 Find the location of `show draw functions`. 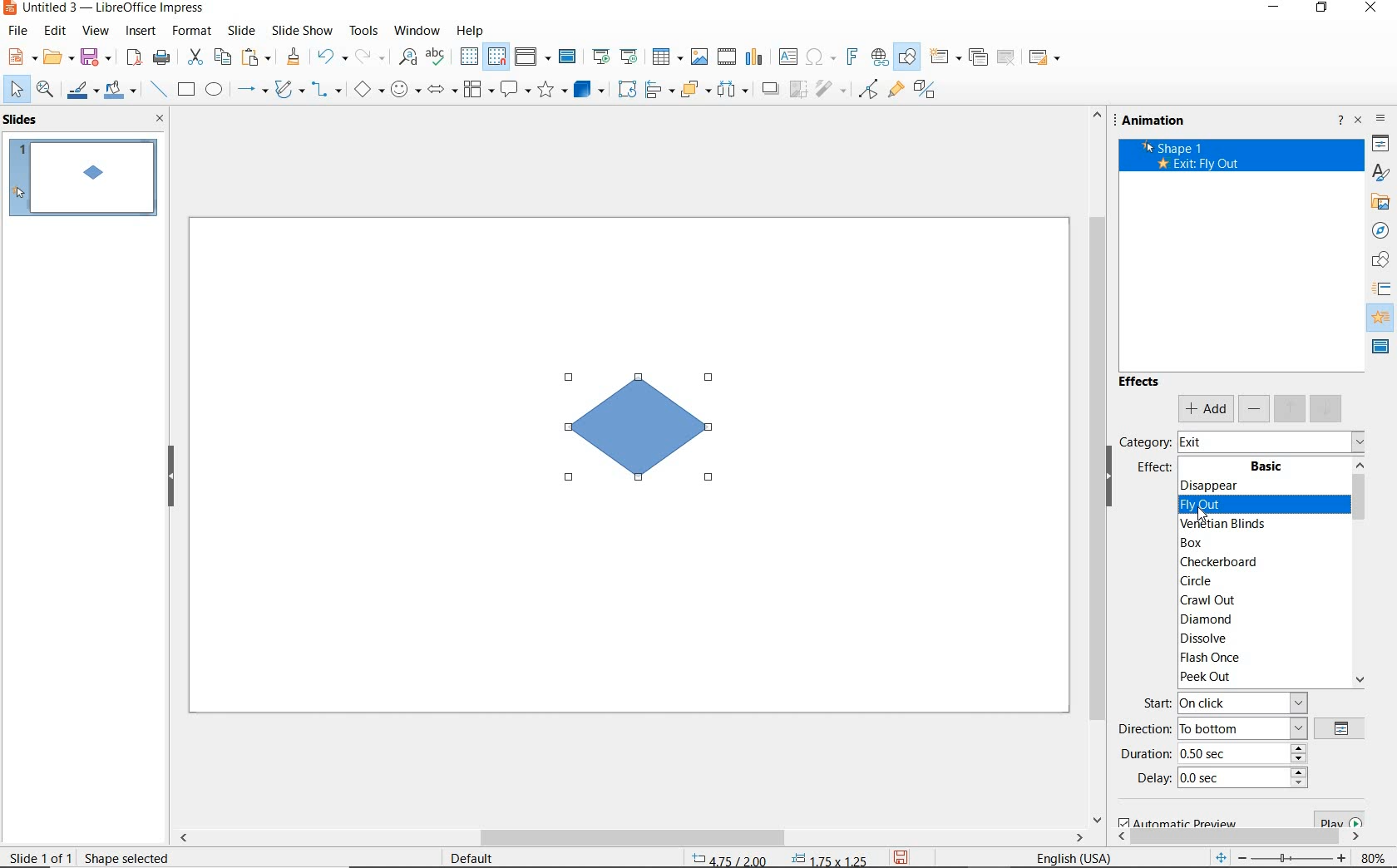

show draw functions is located at coordinates (906, 57).